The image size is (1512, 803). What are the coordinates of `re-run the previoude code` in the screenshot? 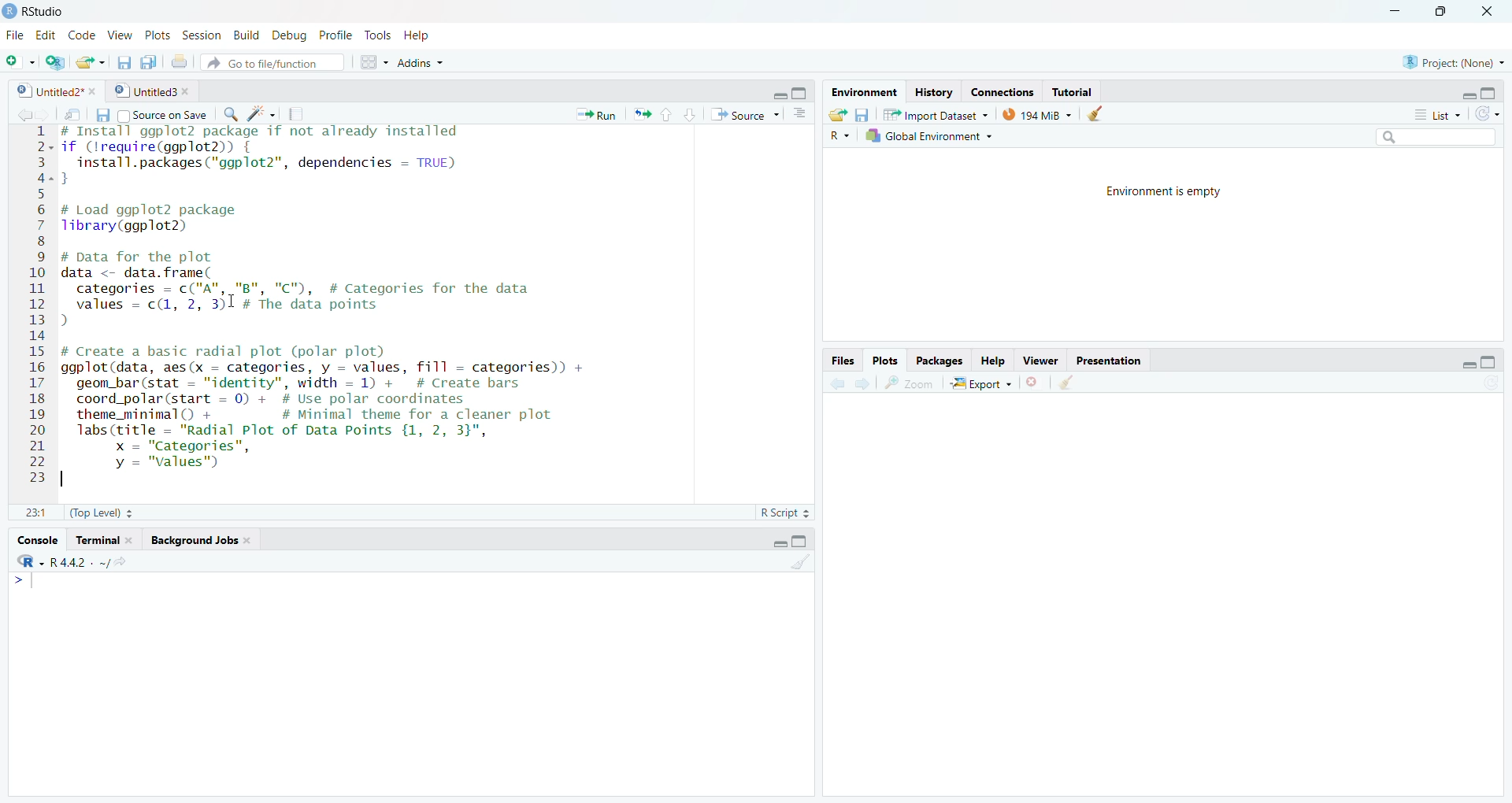 It's located at (642, 115).